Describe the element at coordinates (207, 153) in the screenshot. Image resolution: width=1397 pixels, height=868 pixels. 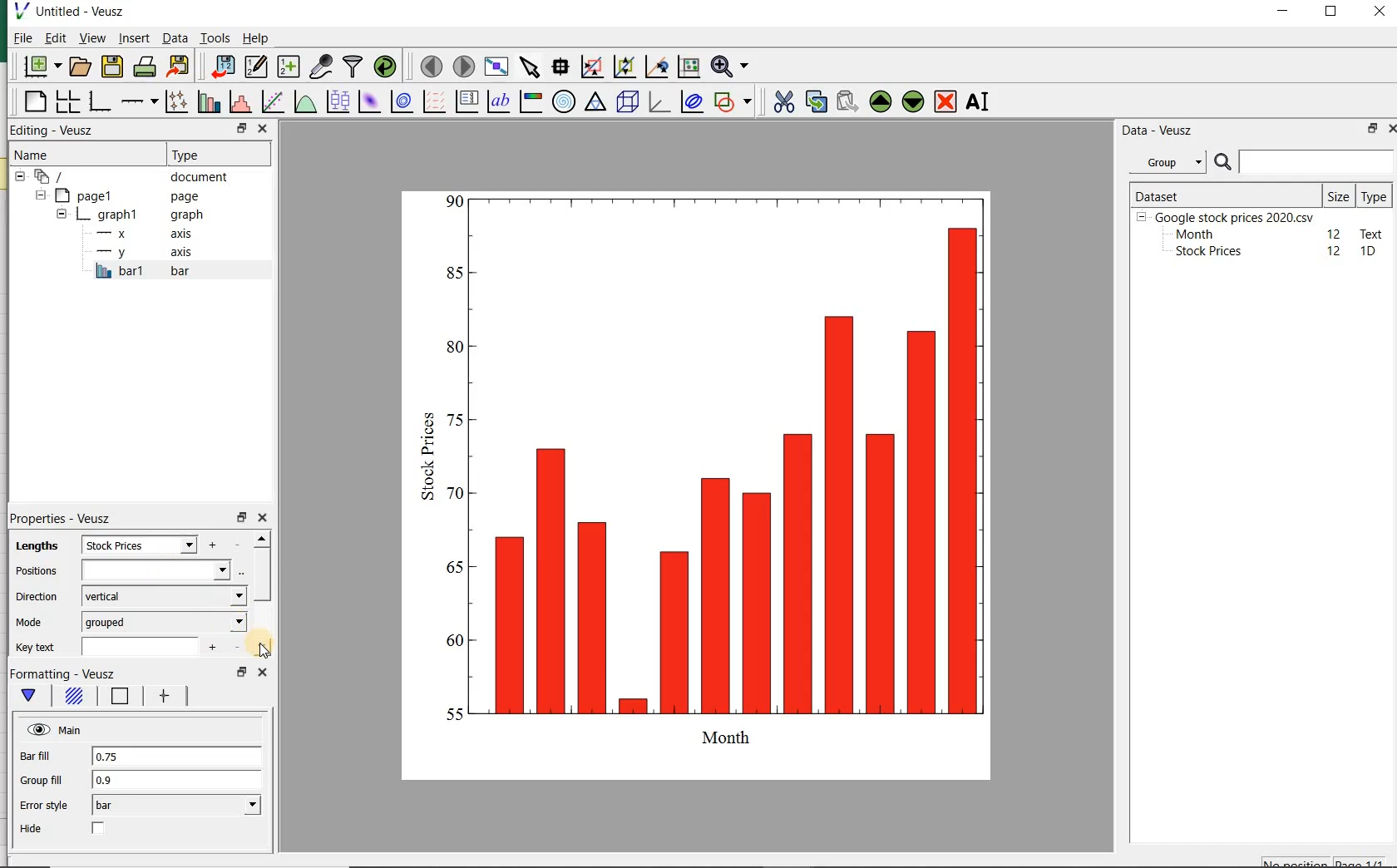
I see `Type` at that location.